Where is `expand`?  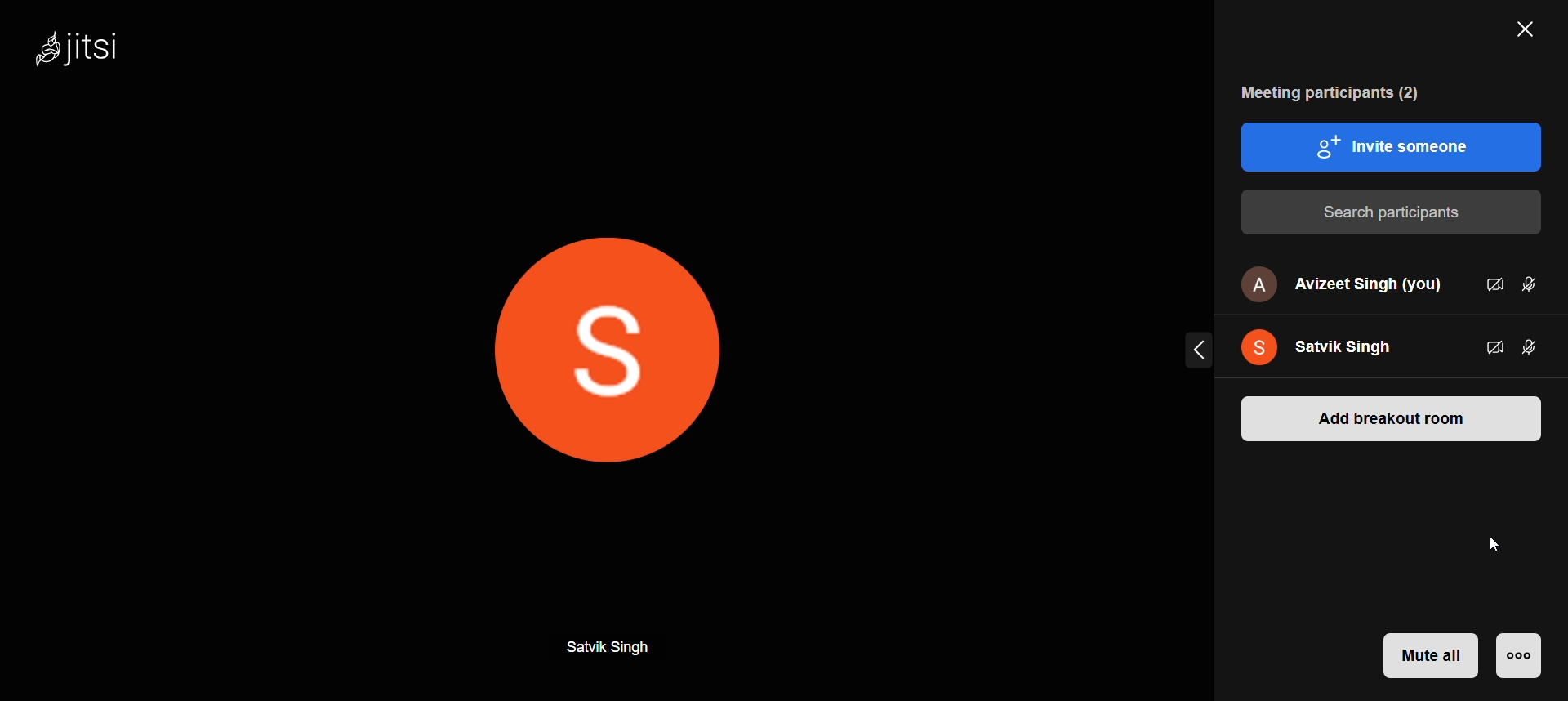
expand is located at coordinates (1195, 349).